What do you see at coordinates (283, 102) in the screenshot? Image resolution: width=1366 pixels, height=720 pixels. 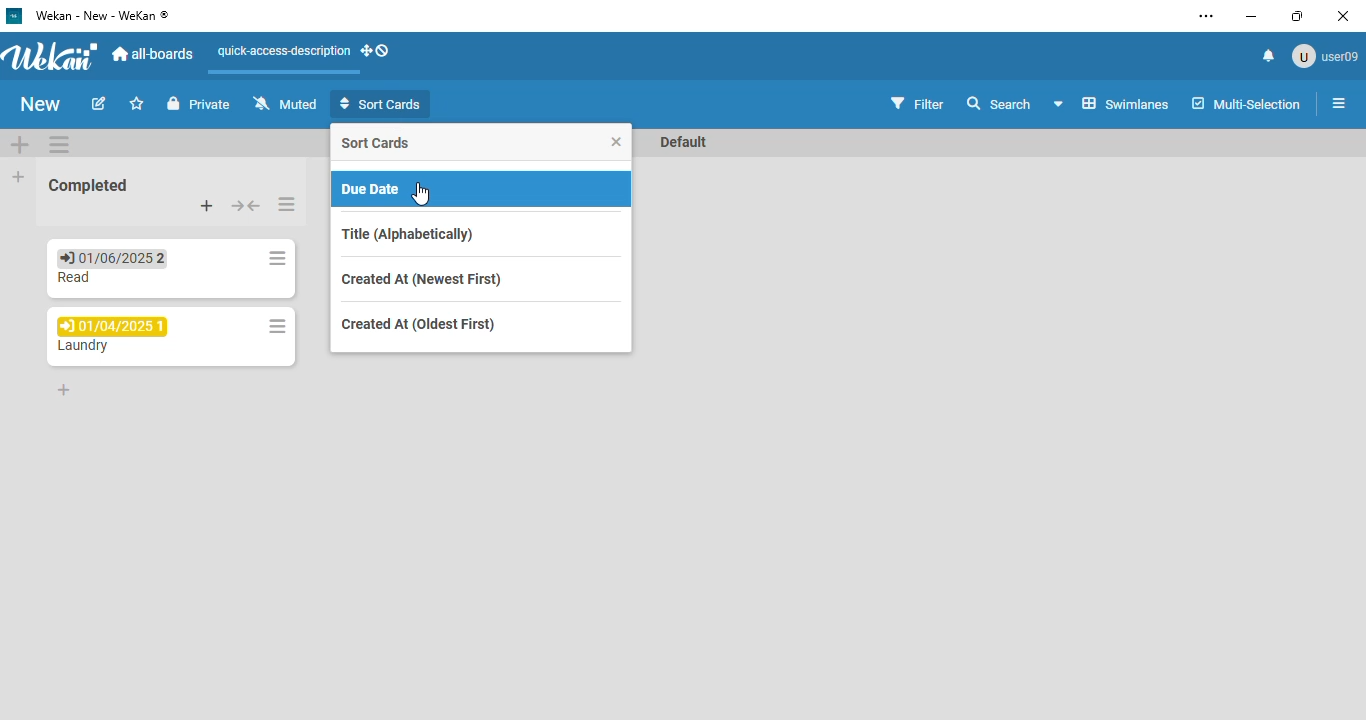 I see `muted` at bounding box center [283, 102].